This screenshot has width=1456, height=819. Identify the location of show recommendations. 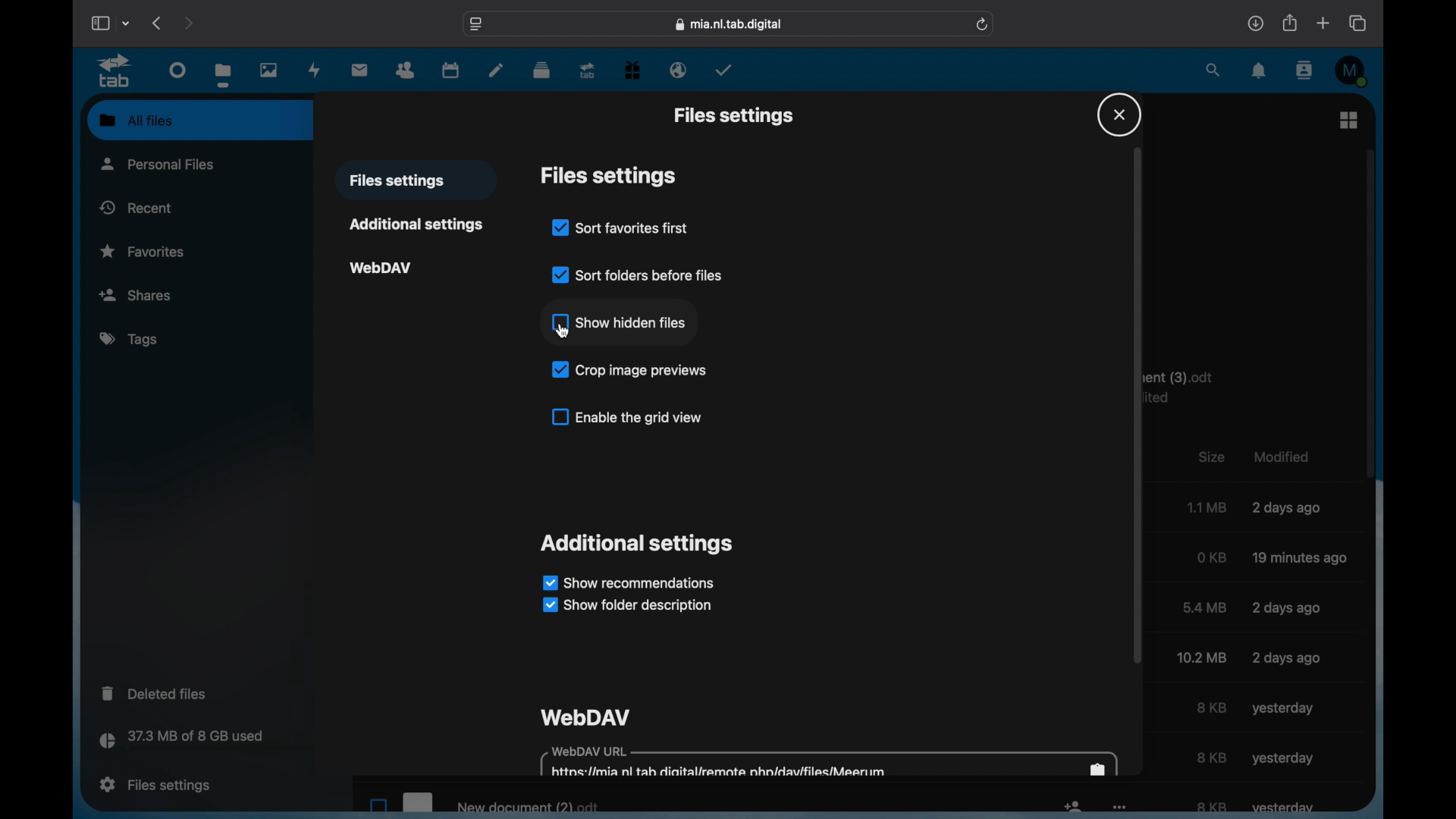
(627, 583).